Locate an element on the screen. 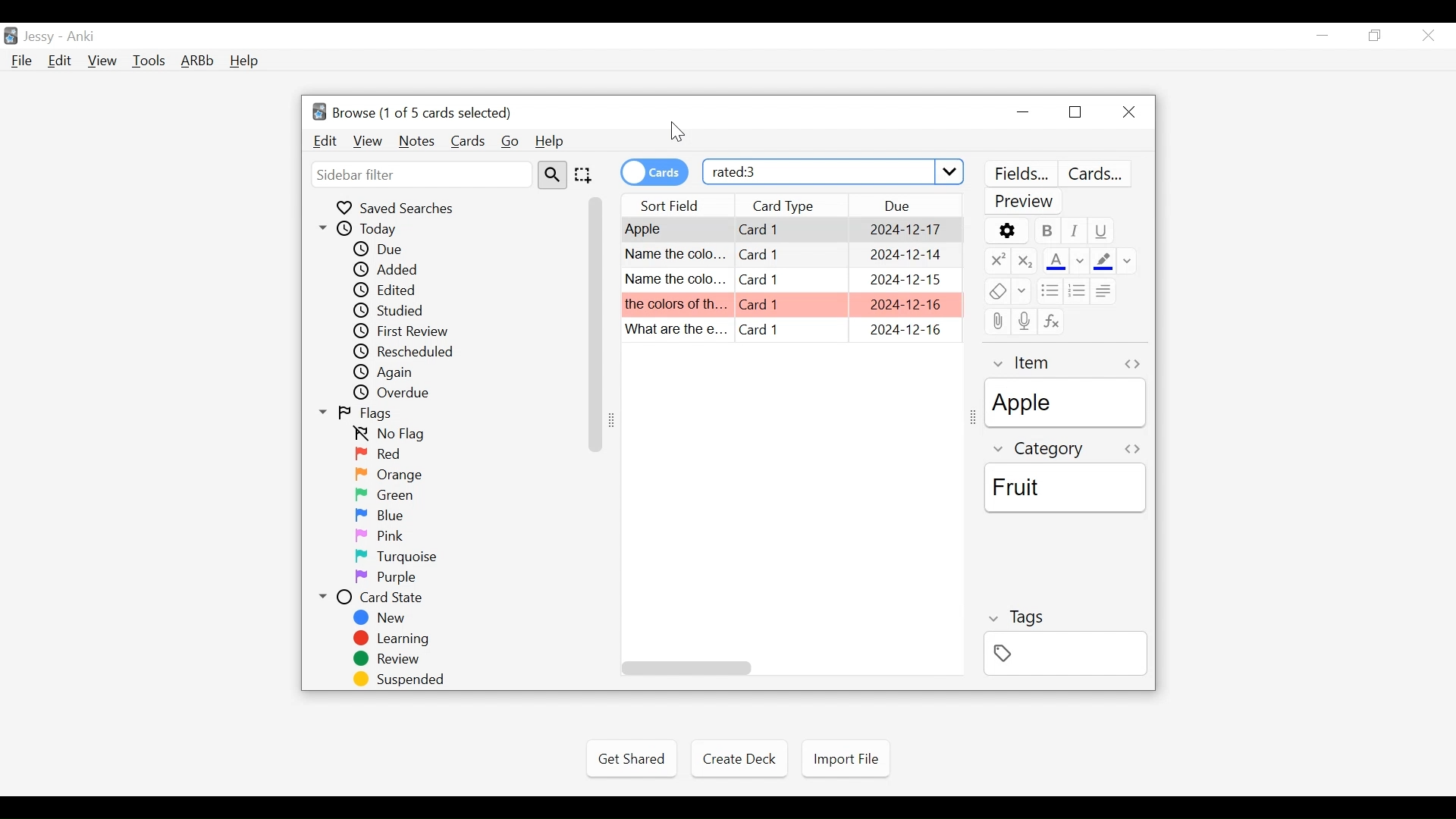 The image size is (1456, 819). View is located at coordinates (368, 142).